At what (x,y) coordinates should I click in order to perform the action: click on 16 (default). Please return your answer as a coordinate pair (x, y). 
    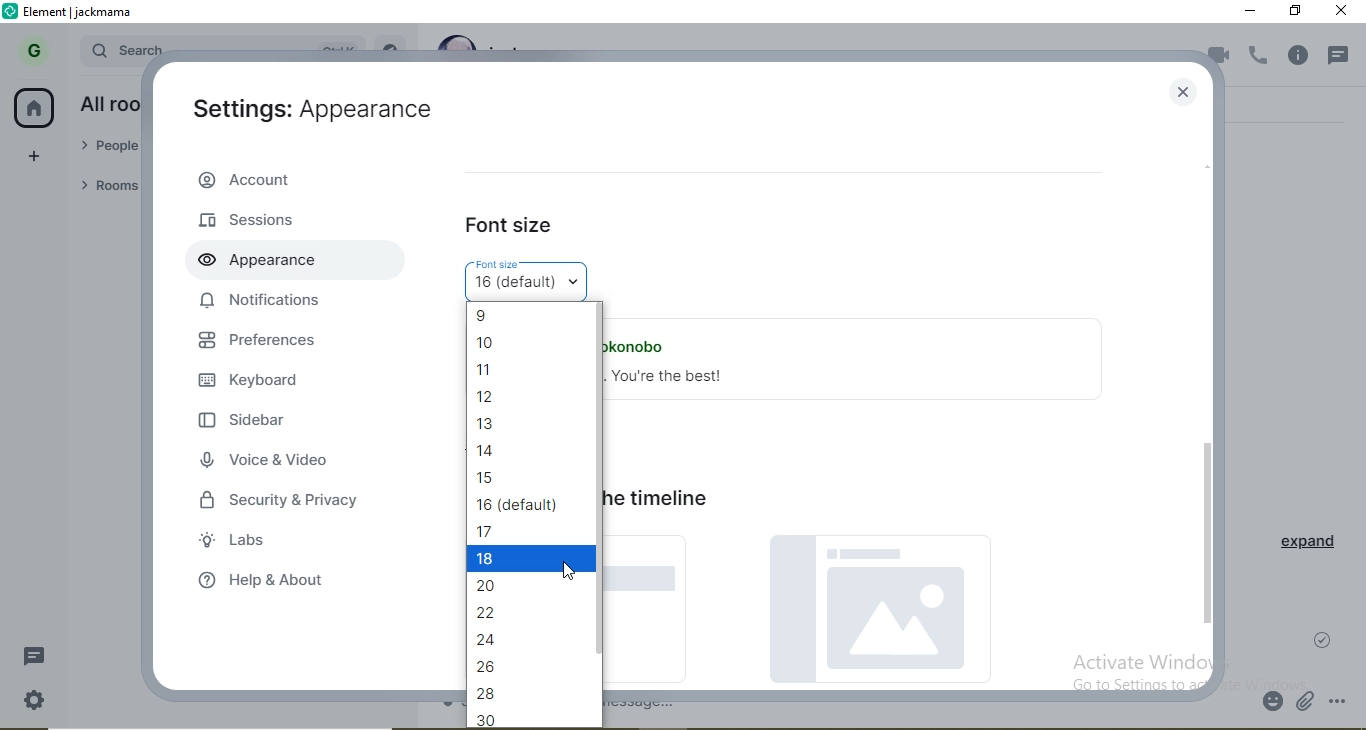
    Looking at the image, I should click on (522, 287).